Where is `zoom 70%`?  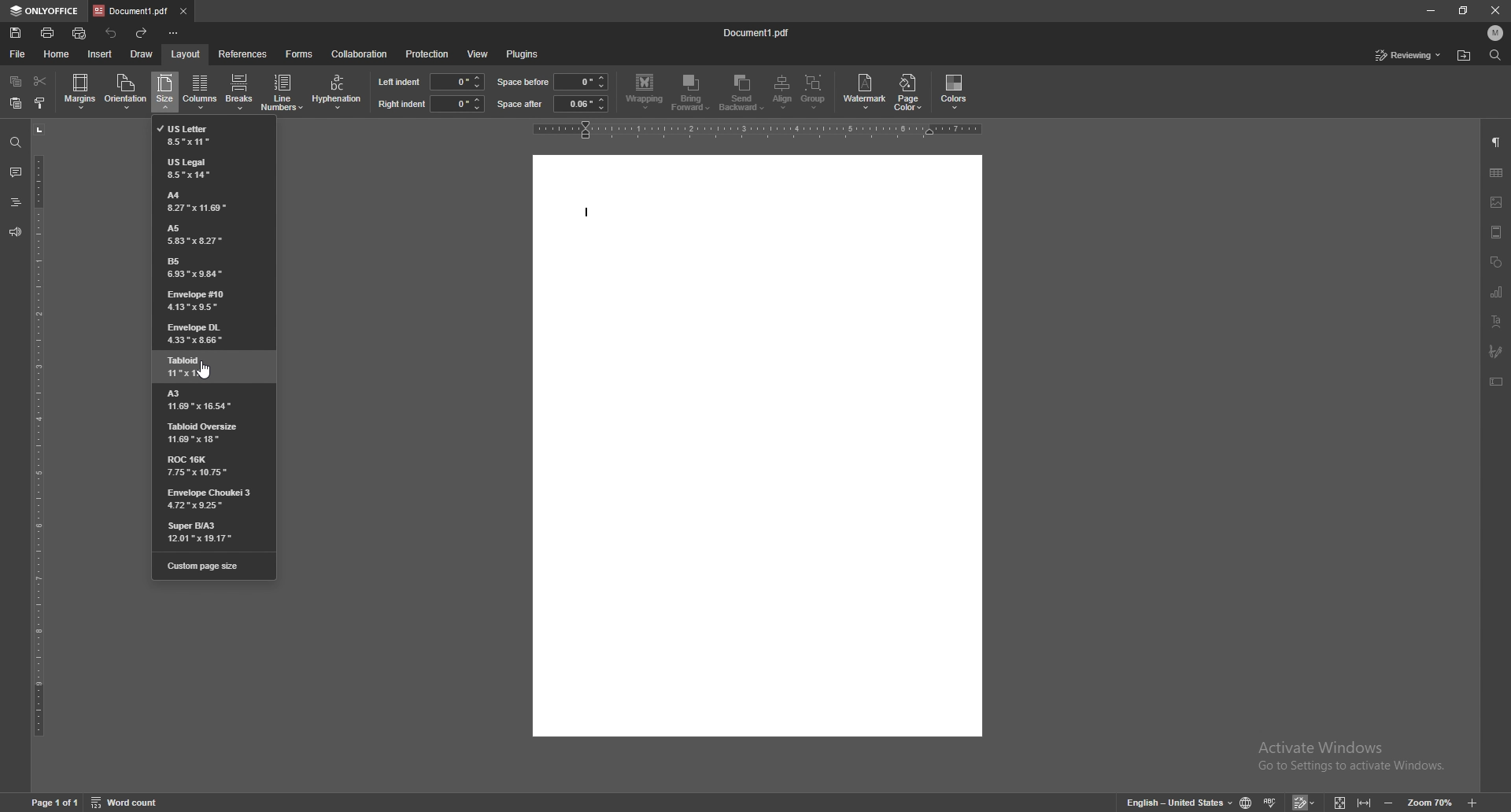
zoom 70% is located at coordinates (1429, 803).